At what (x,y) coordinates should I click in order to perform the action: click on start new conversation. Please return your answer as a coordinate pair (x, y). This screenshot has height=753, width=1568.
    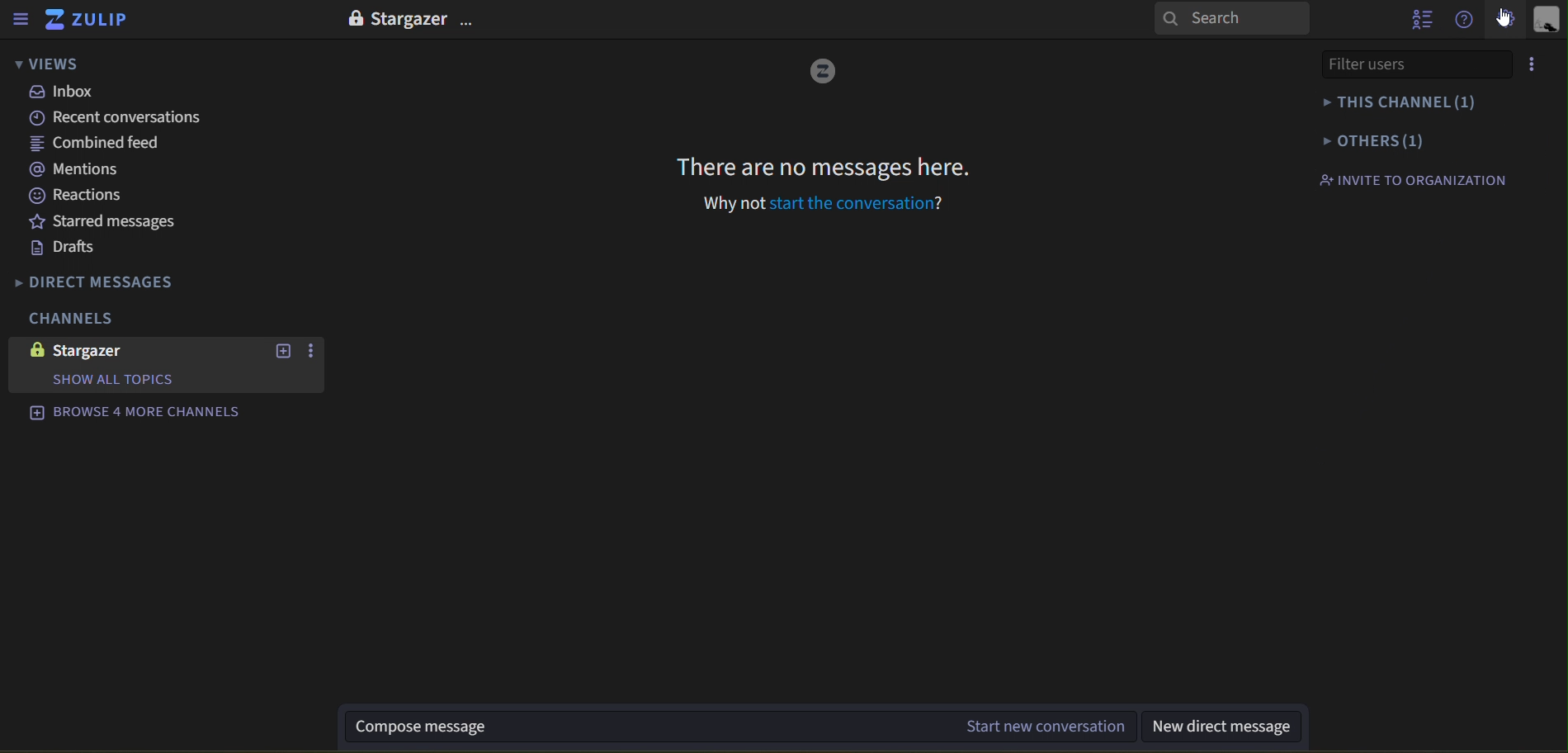
    Looking at the image, I should click on (1041, 725).